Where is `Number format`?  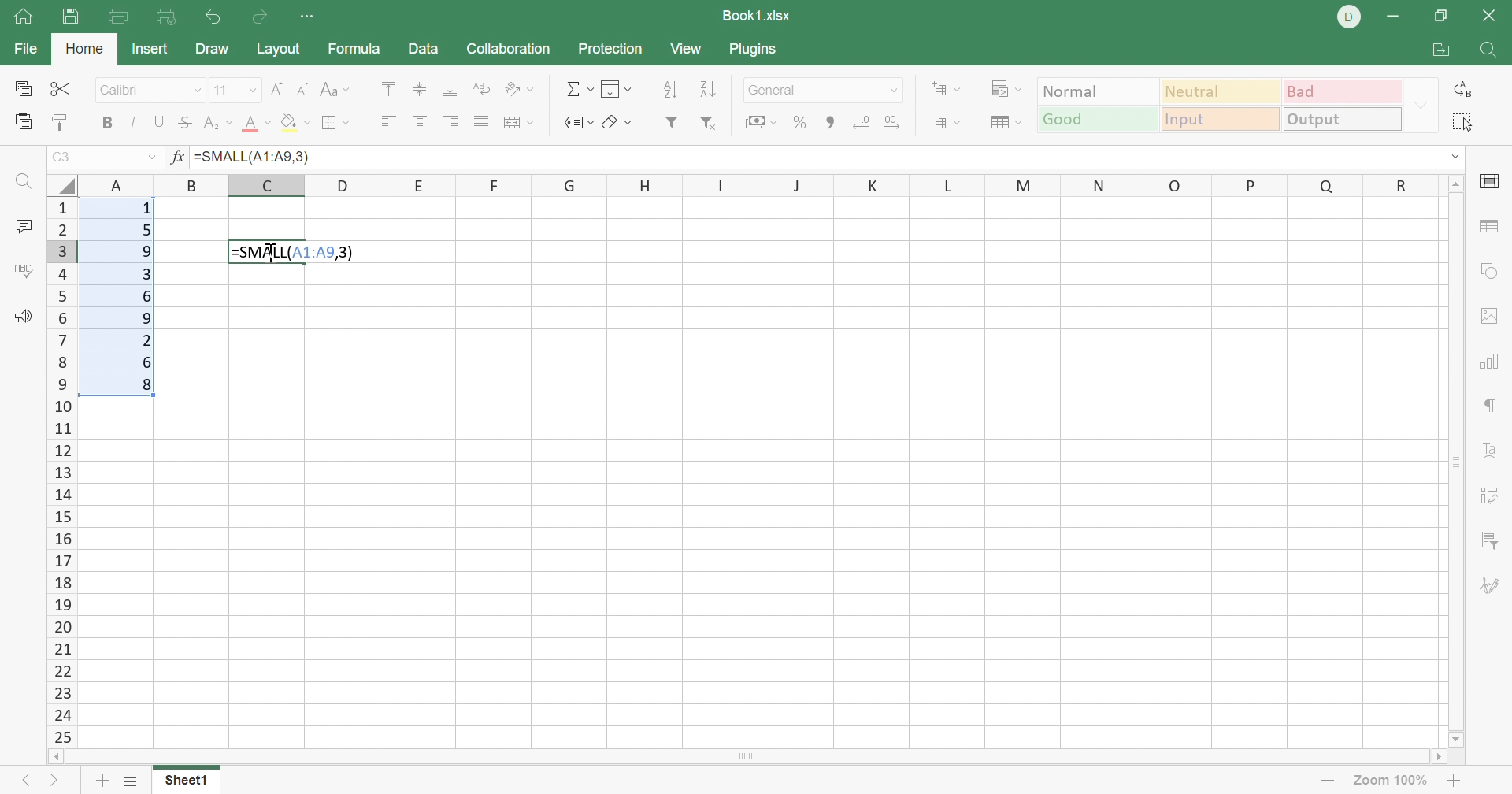 Number format is located at coordinates (822, 90).